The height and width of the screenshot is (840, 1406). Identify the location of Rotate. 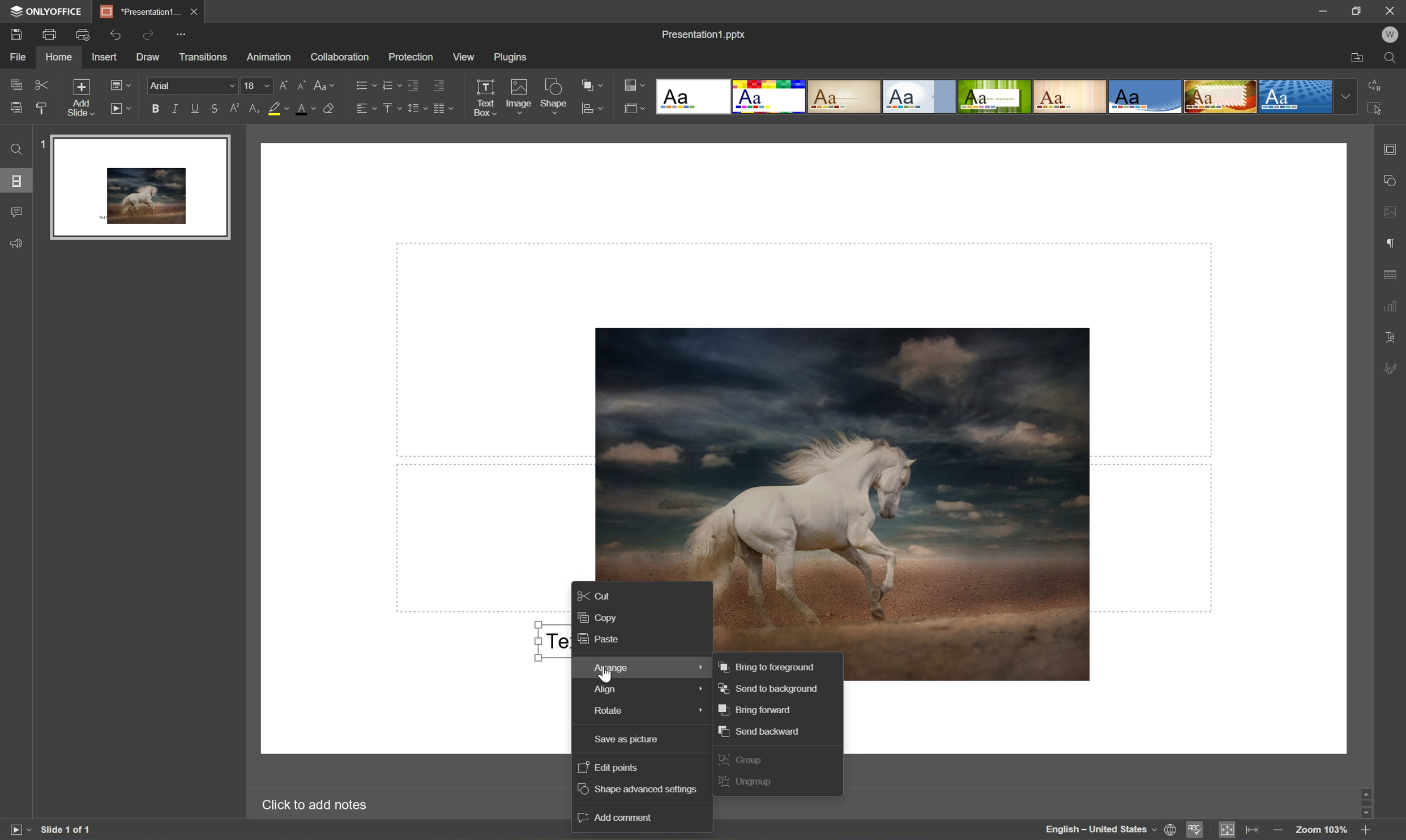
(639, 713).